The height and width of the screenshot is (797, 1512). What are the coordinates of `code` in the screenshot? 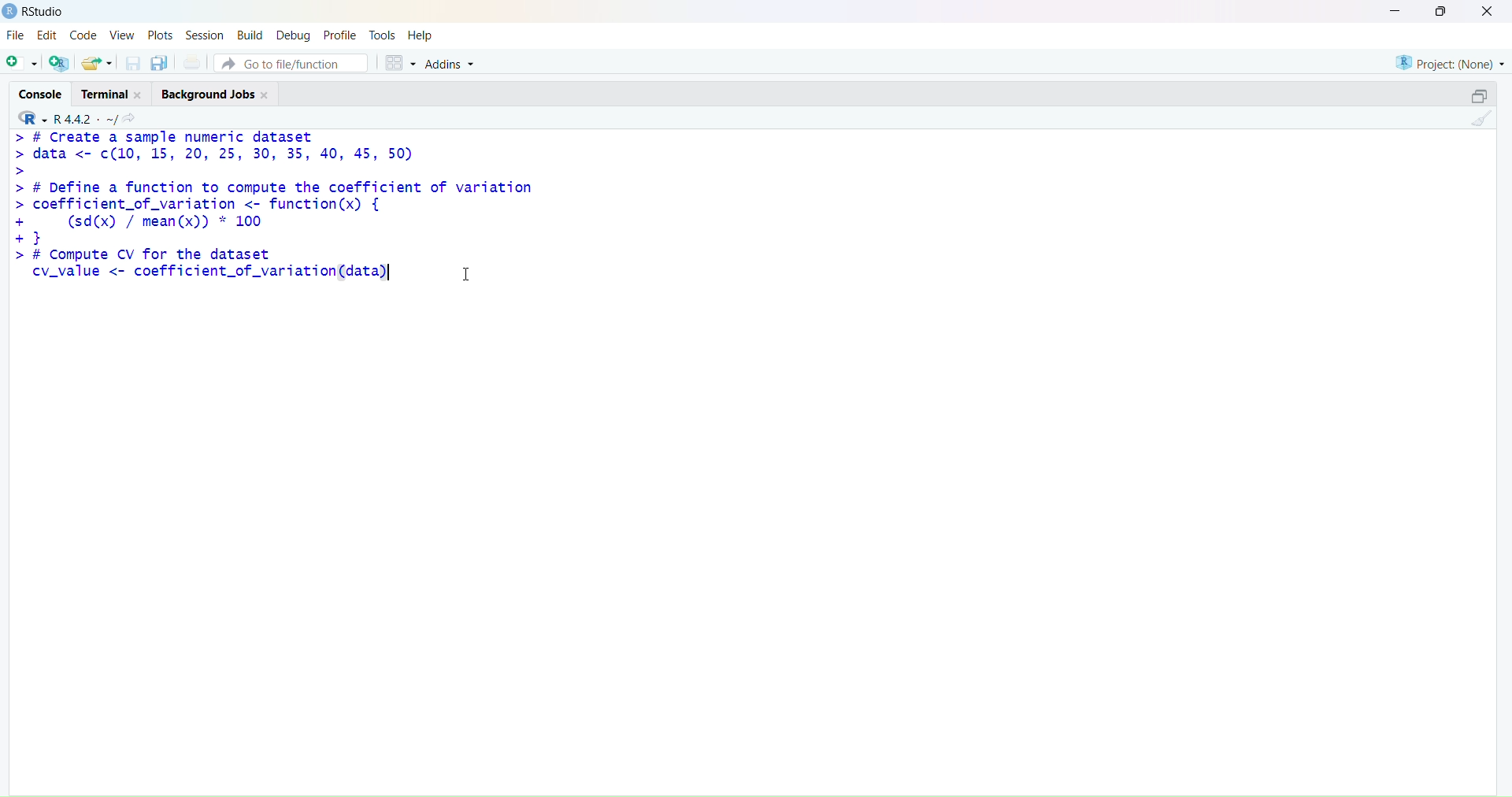 It's located at (83, 35).